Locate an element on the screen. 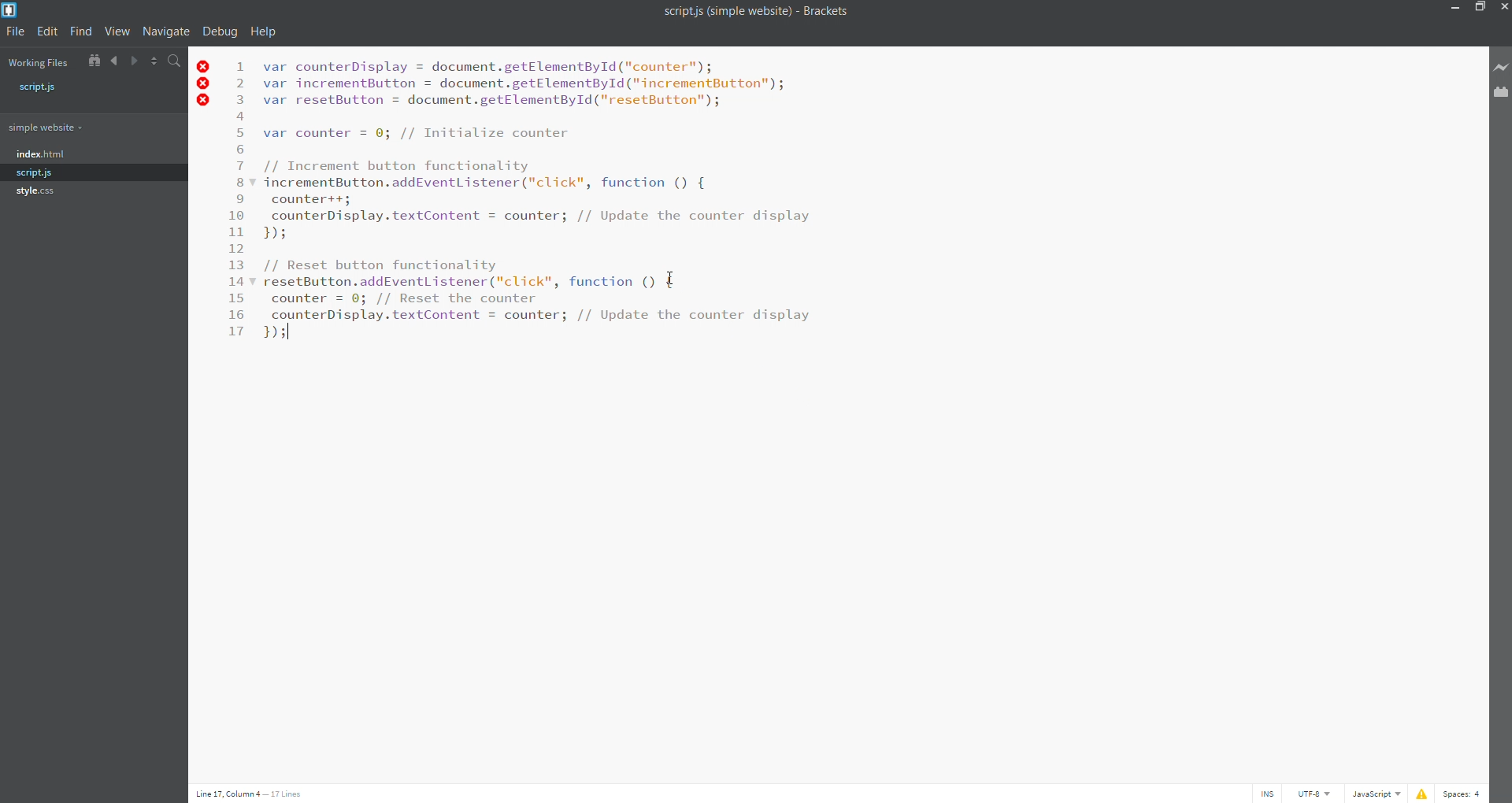 The height and width of the screenshot is (803, 1512). navigate forward is located at coordinates (132, 59).